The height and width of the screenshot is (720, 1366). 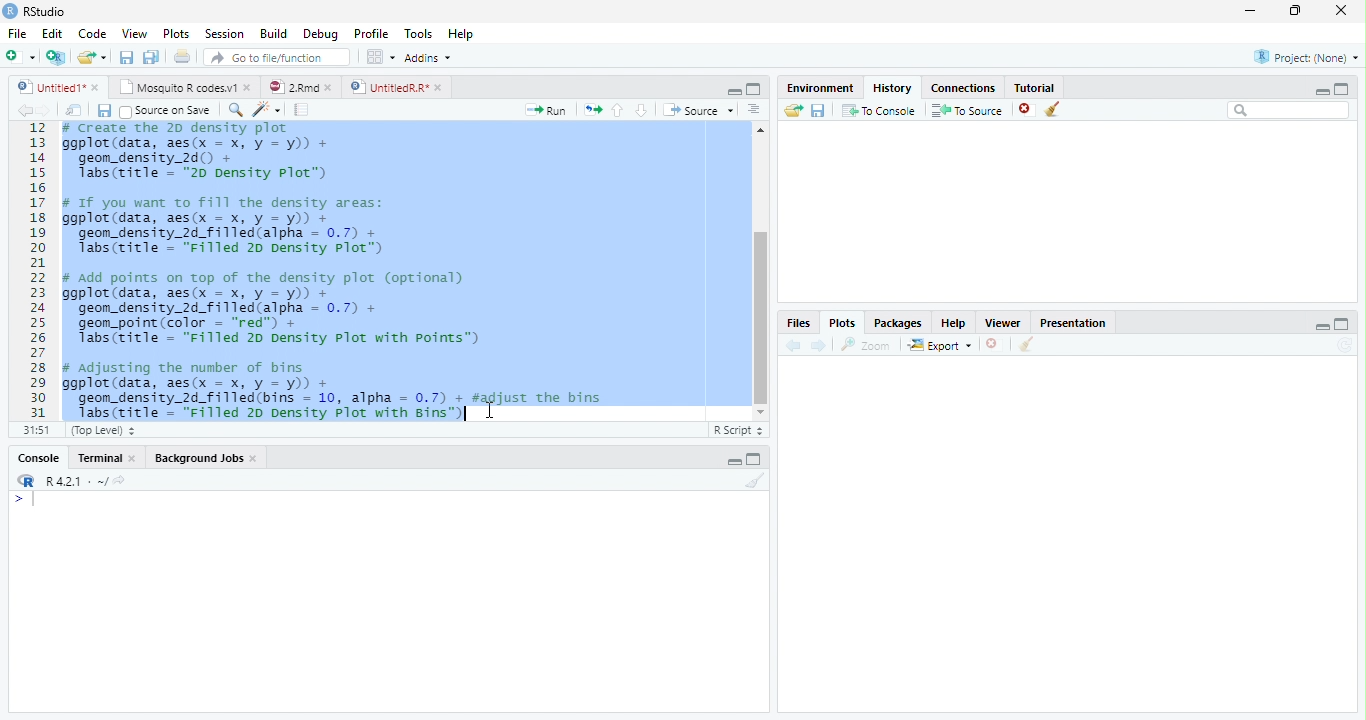 What do you see at coordinates (1297, 10) in the screenshot?
I see `maximize` at bounding box center [1297, 10].